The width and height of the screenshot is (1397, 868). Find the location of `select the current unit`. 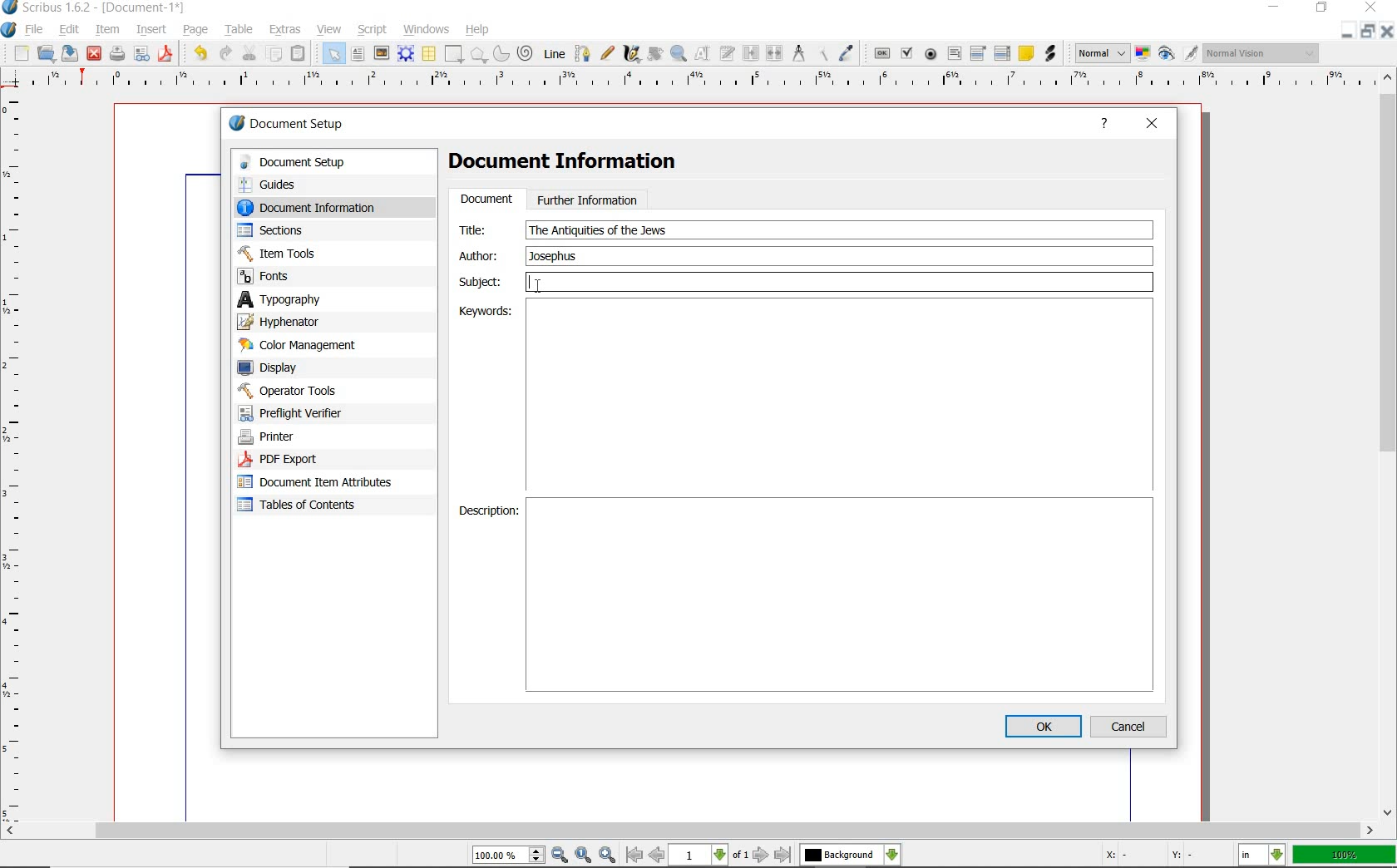

select the current unit is located at coordinates (1261, 855).